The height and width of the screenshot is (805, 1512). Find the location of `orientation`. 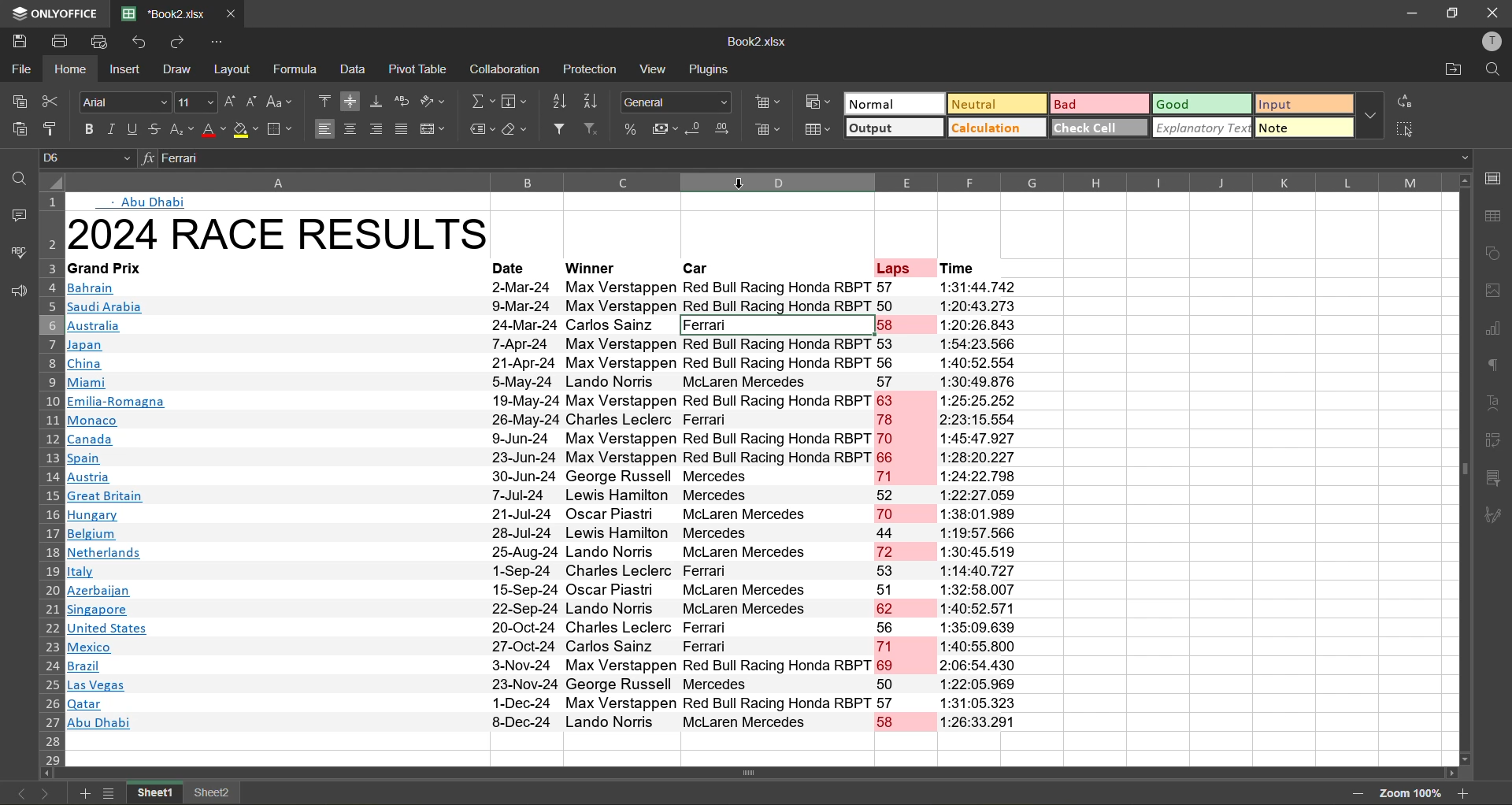

orientation is located at coordinates (433, 102).